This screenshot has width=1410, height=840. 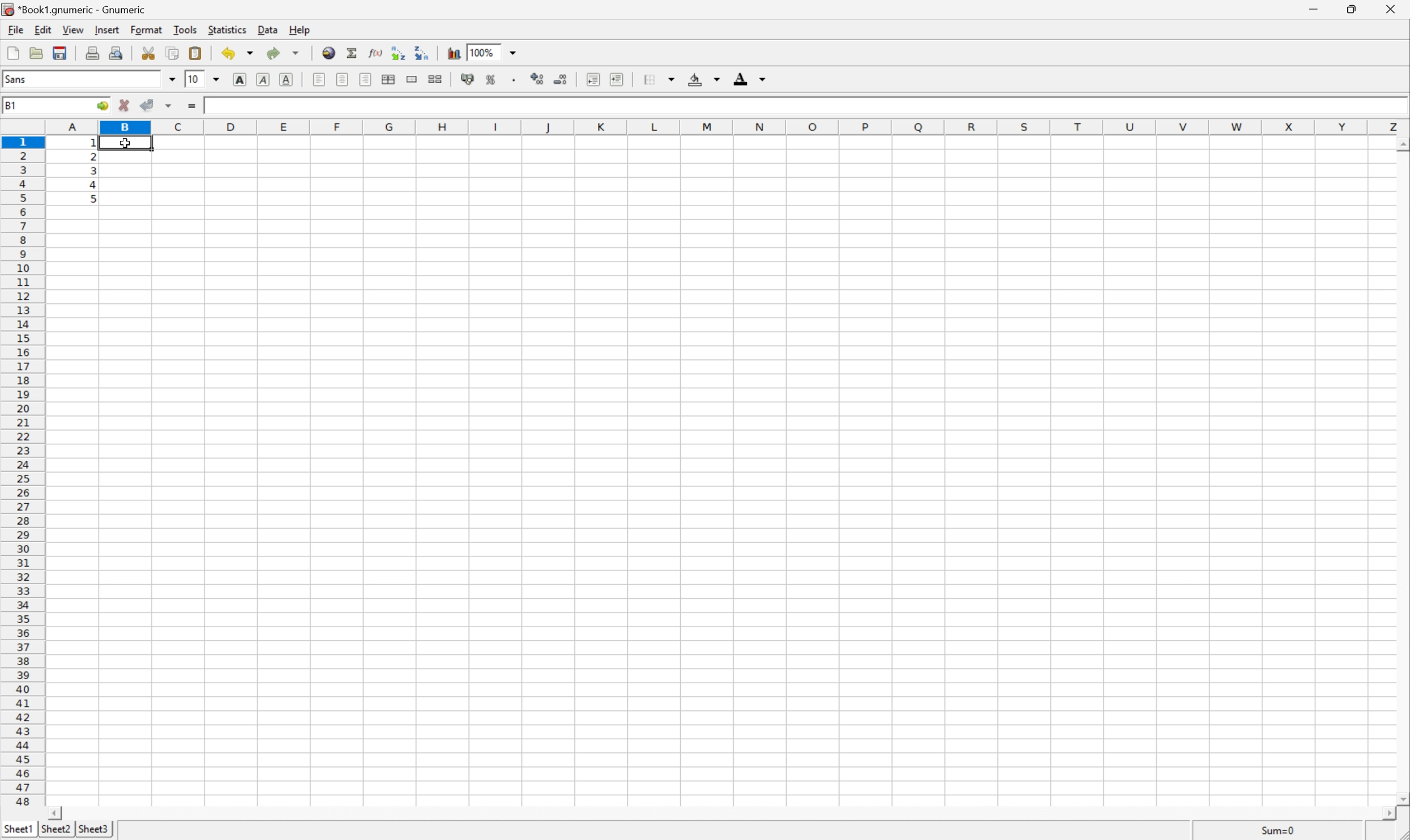 What do you see at coordinates (11, 50) in the screenshot?
I see `Create new workbook` at bounding box center [11, 50].